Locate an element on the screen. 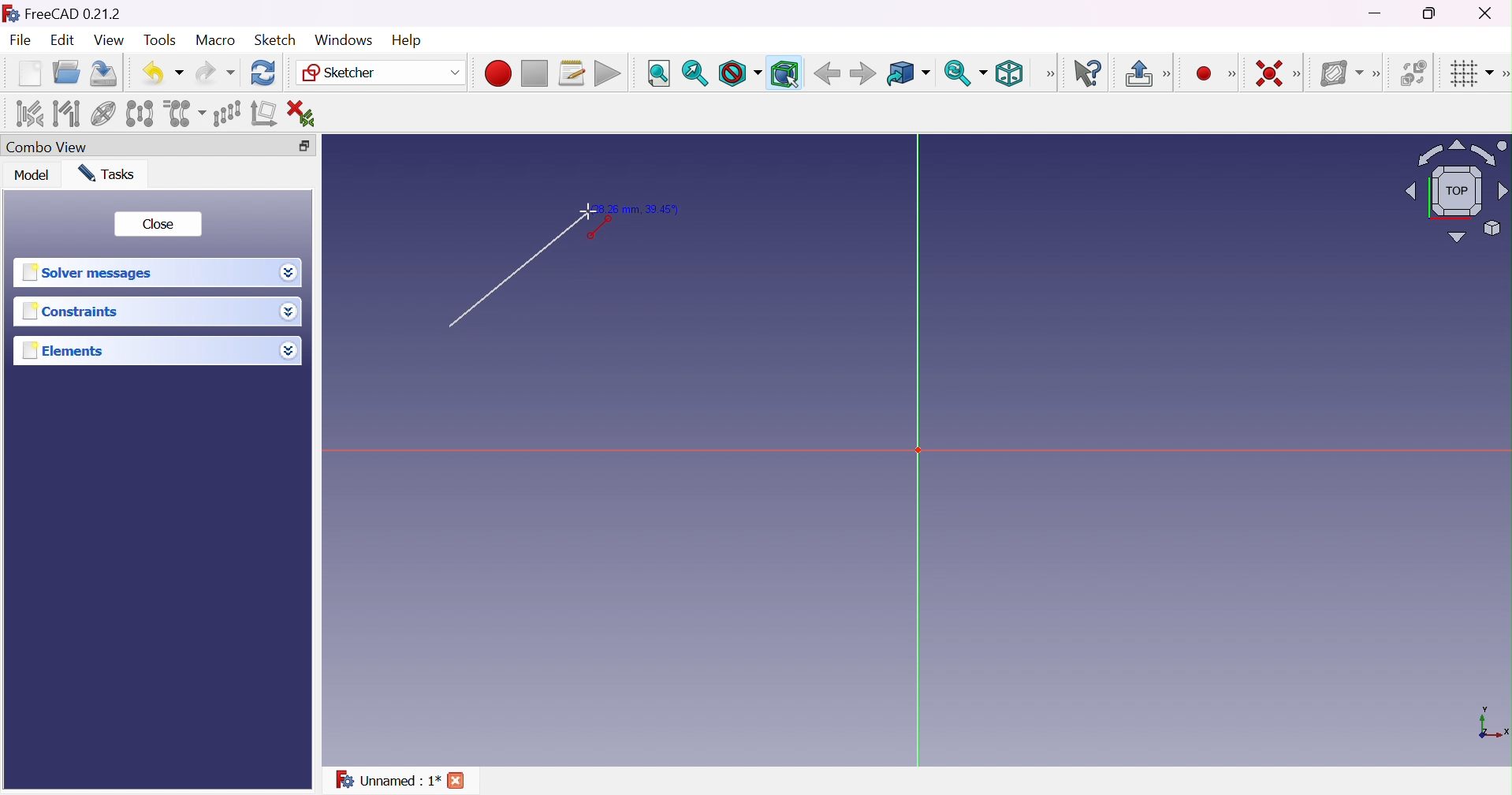 Image resolution: width=1512 pixels, height=795 pixels. Elements is located at coordinates (72, 351).